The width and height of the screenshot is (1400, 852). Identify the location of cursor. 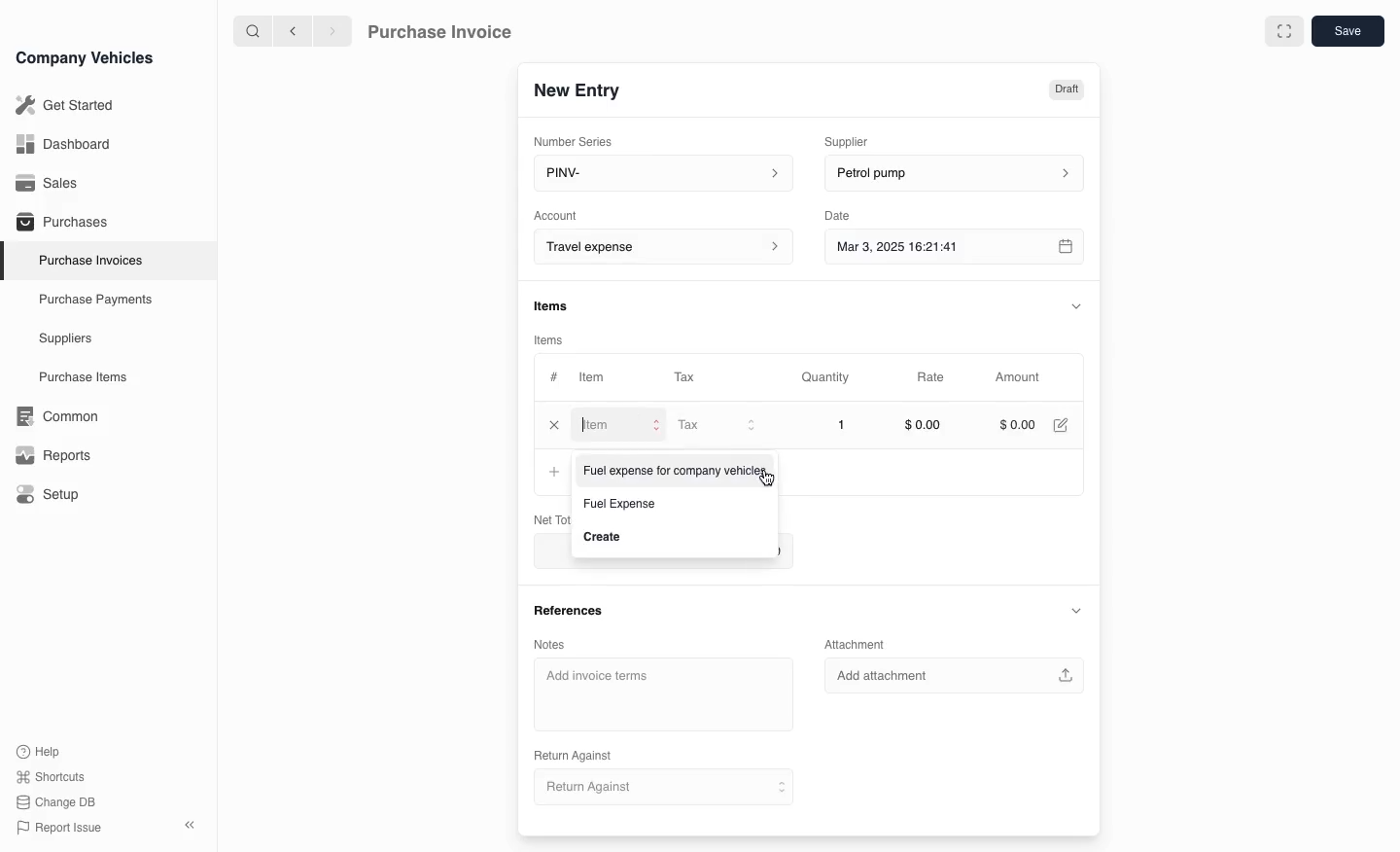
(771, 480).